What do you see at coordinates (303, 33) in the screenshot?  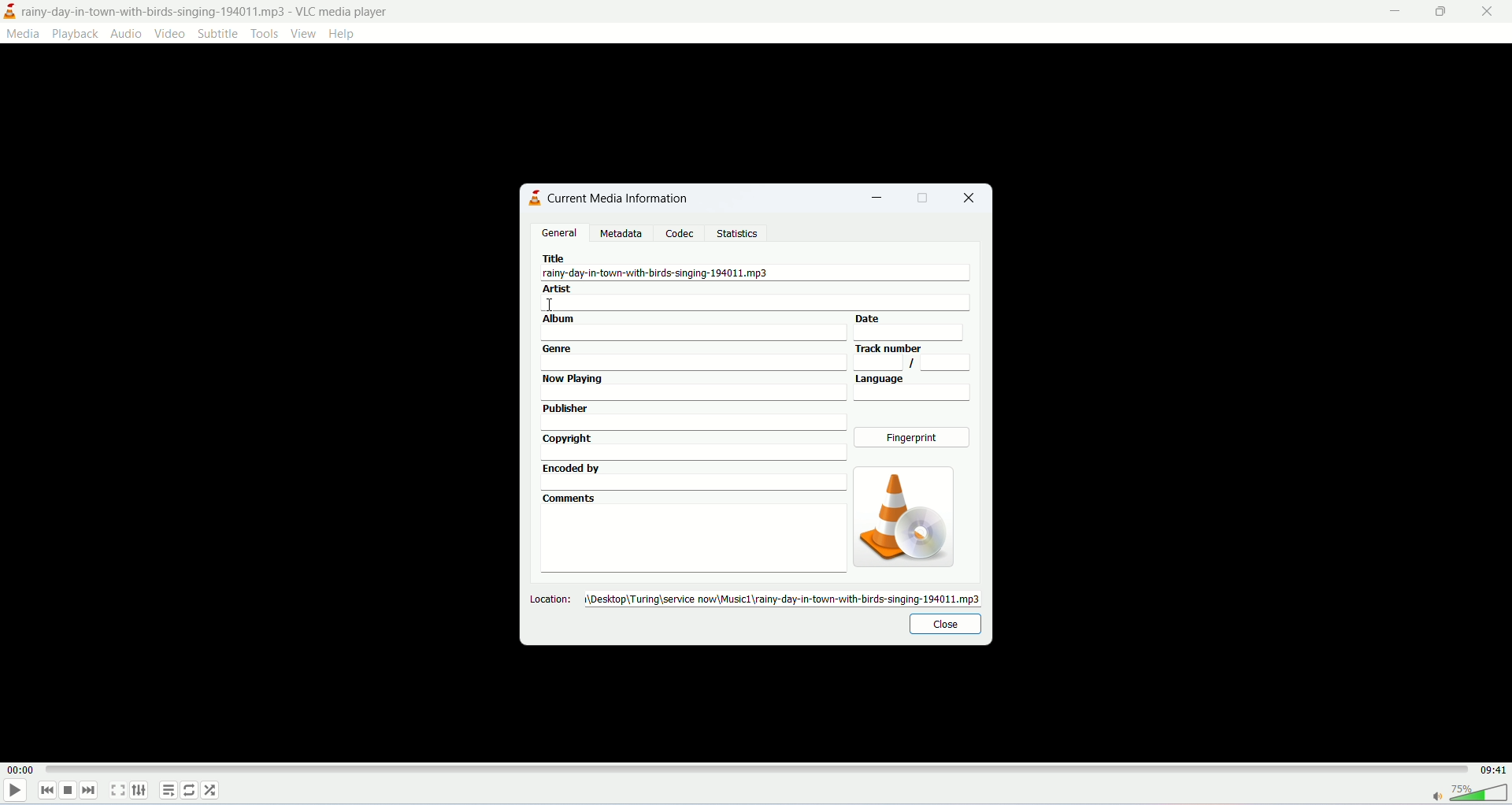 I see `view` at bounding box center [303, 33].